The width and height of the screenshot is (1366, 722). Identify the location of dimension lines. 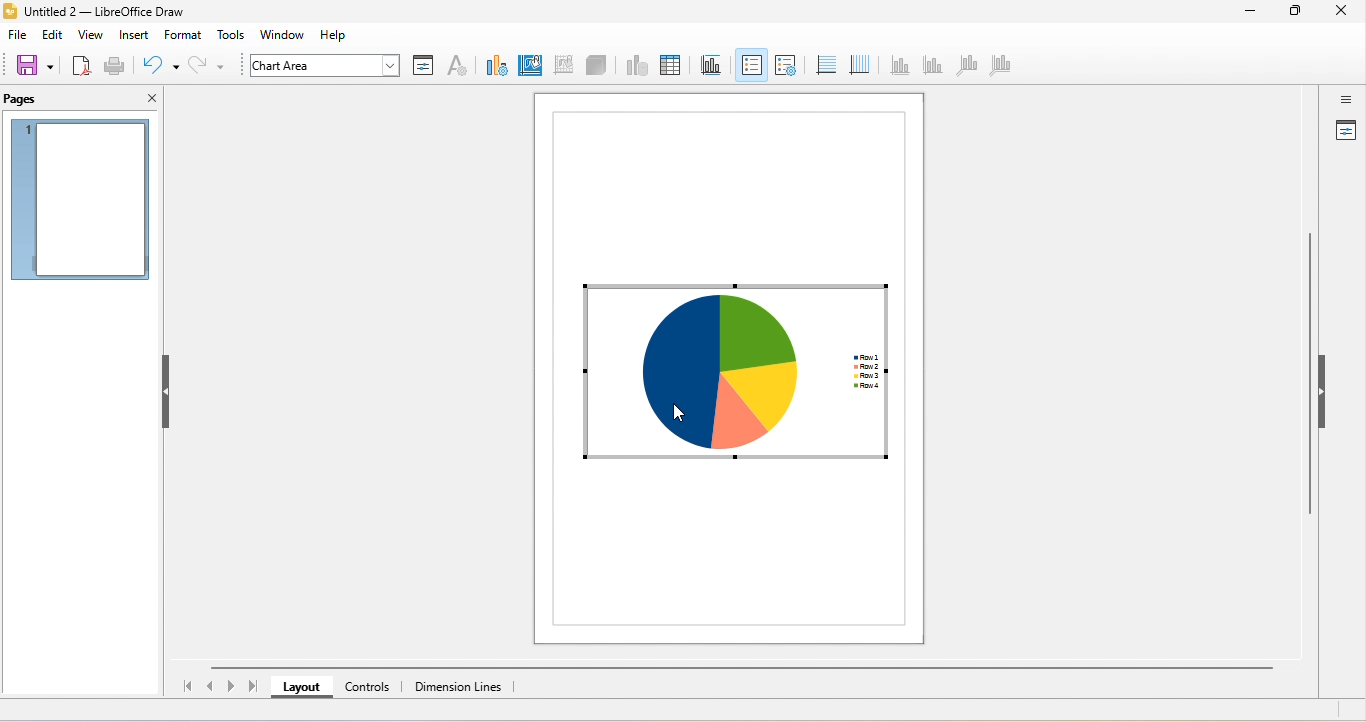
(462, 687).